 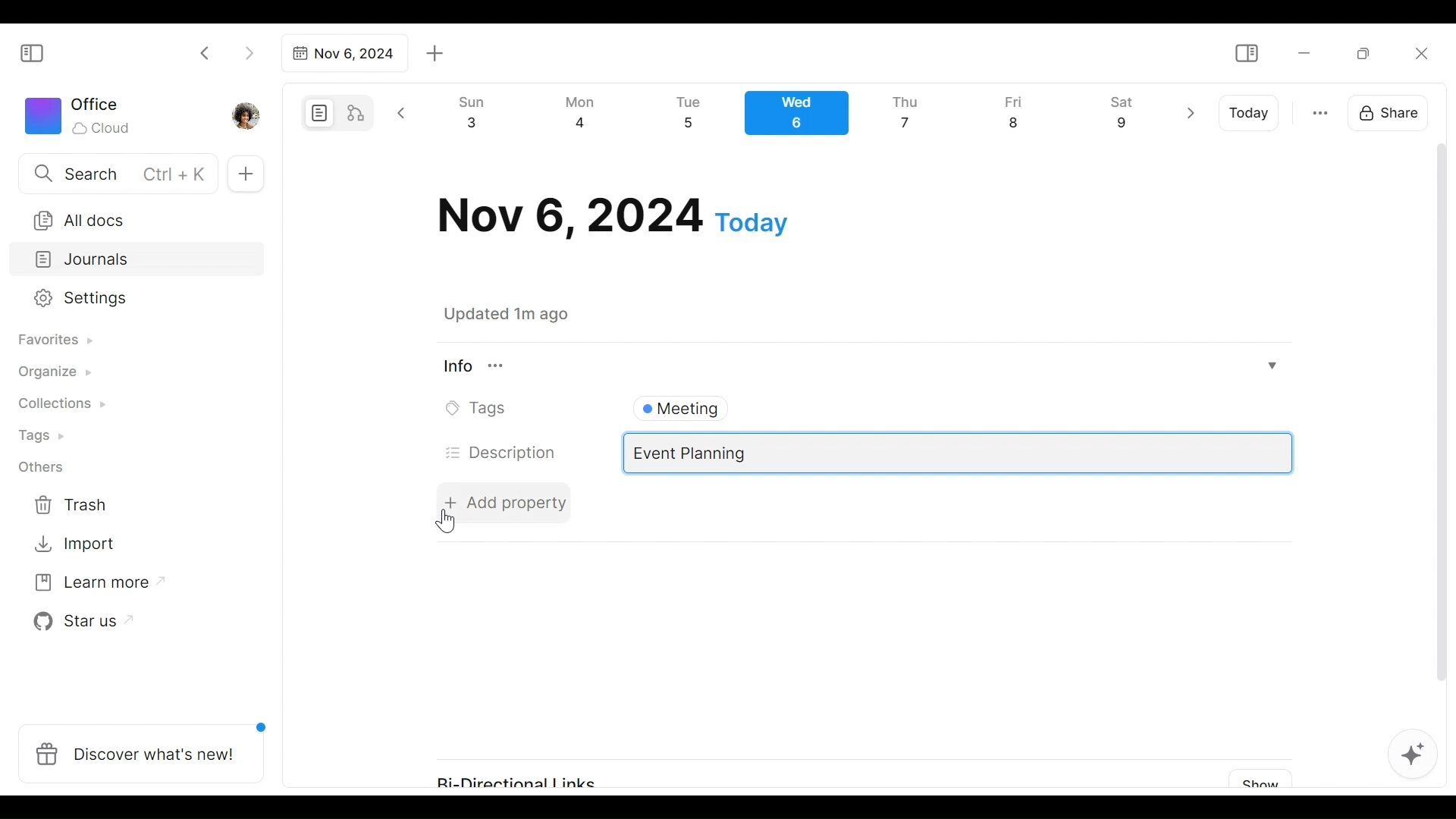 I want to click on Tab, so click(x=342, y=53).